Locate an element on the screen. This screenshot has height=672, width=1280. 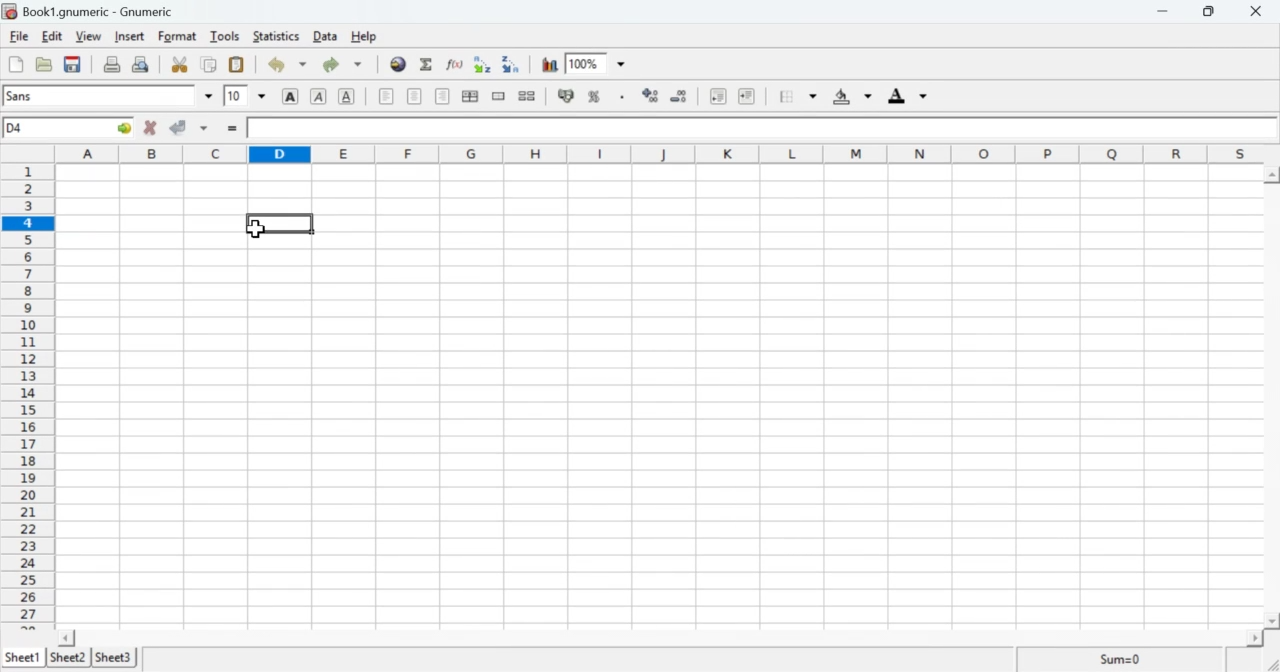
Align right is located at coordinates (416, 98).